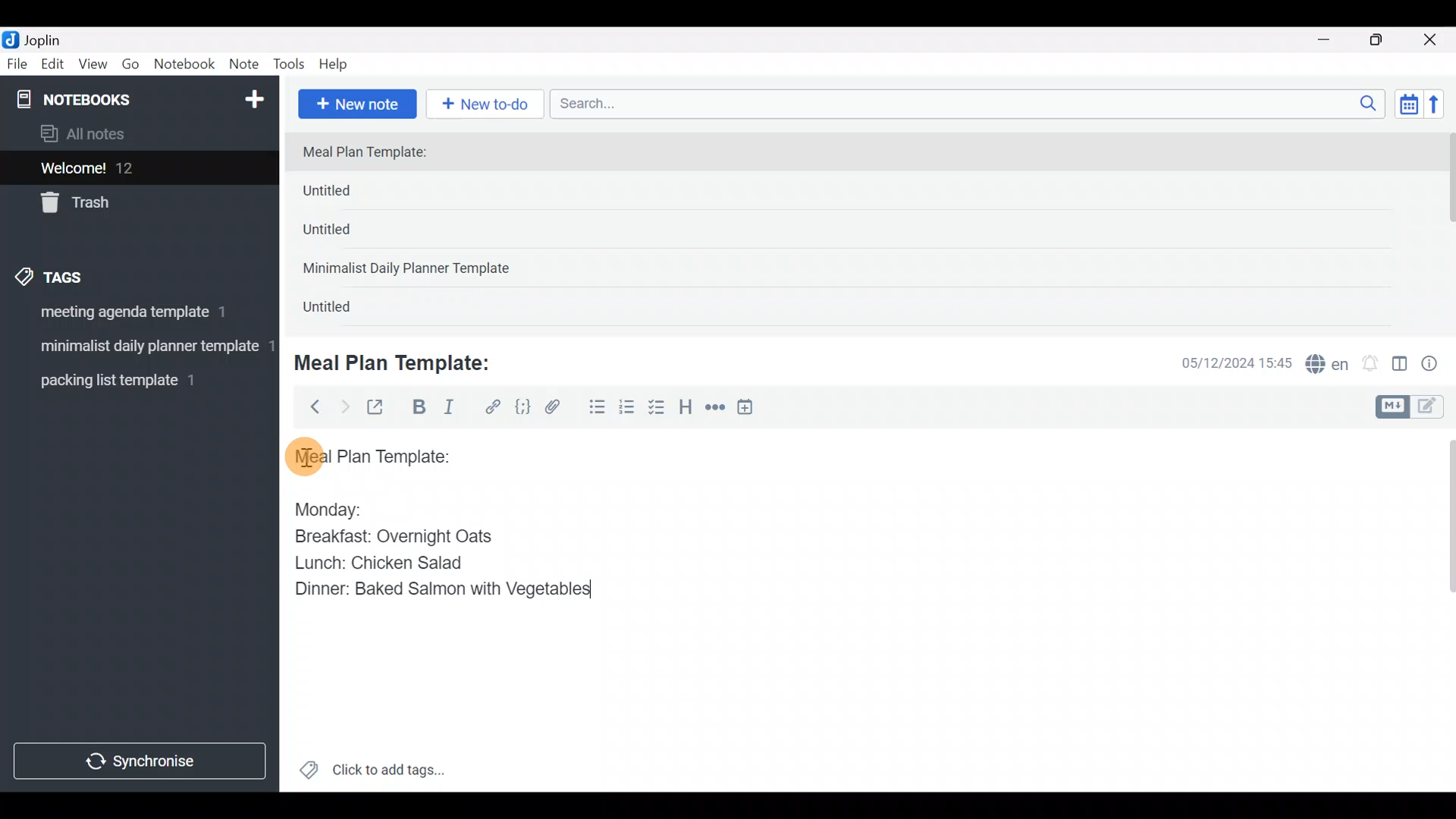  What do you see at coordinates (1401, 366) in the screenshot?
I see `Toggle editor layout` at bounding box center [1401, 366].